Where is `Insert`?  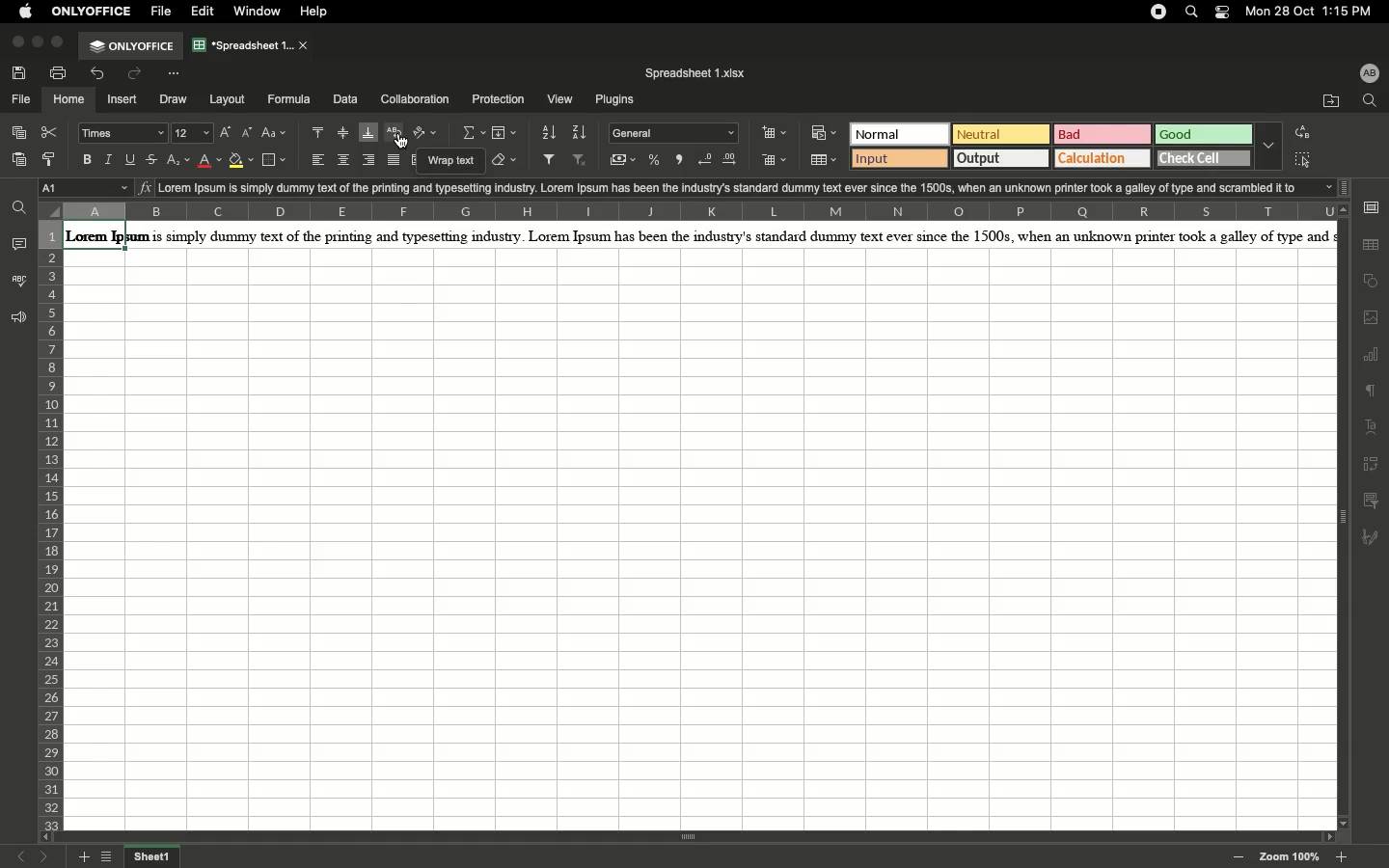 Insert is located at coordinates (123, 100).